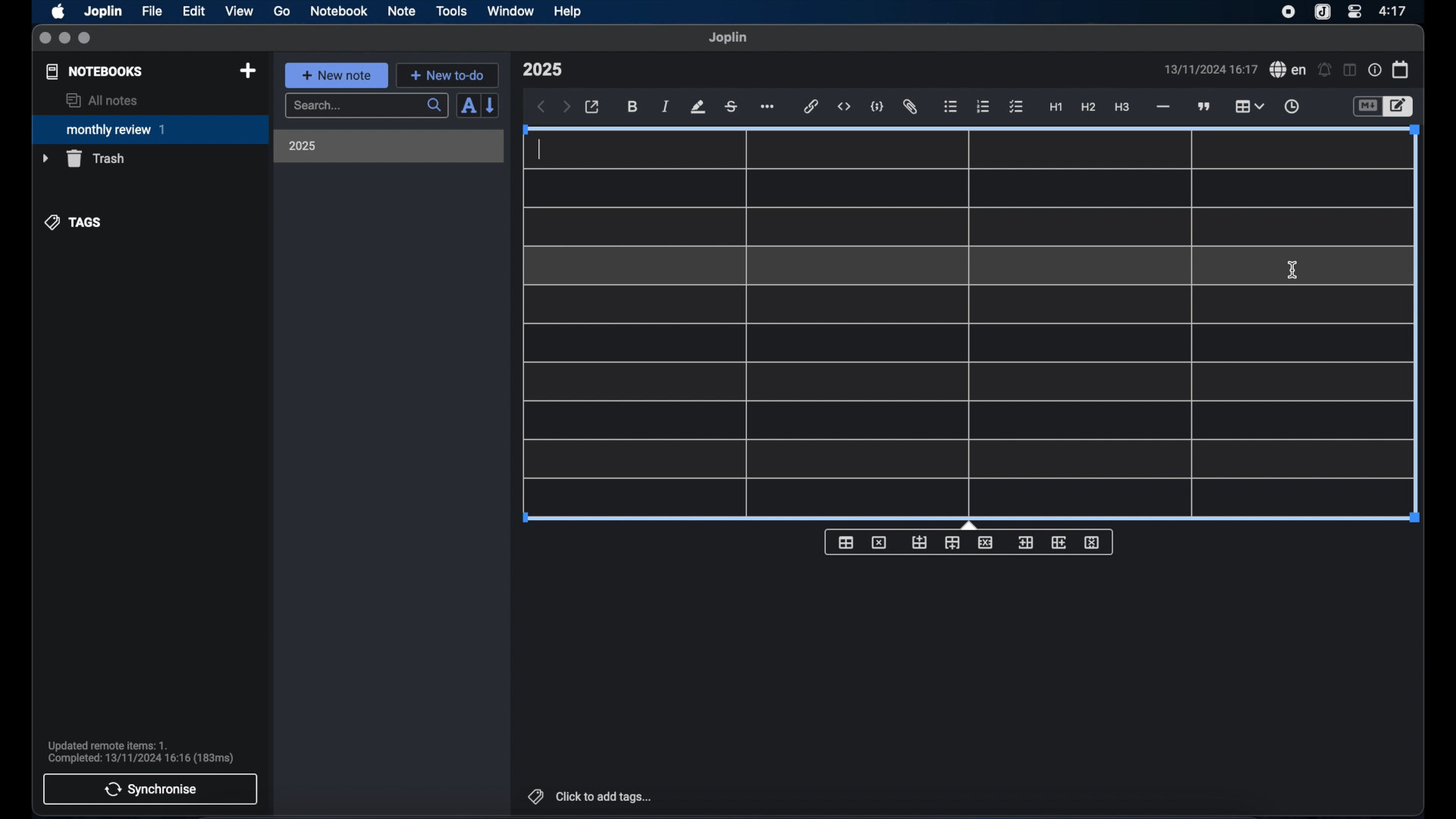  What do you see at coordinates (1056, 108) in the screenshot?
I see `heading 1` at bounding box center [1056, 108].